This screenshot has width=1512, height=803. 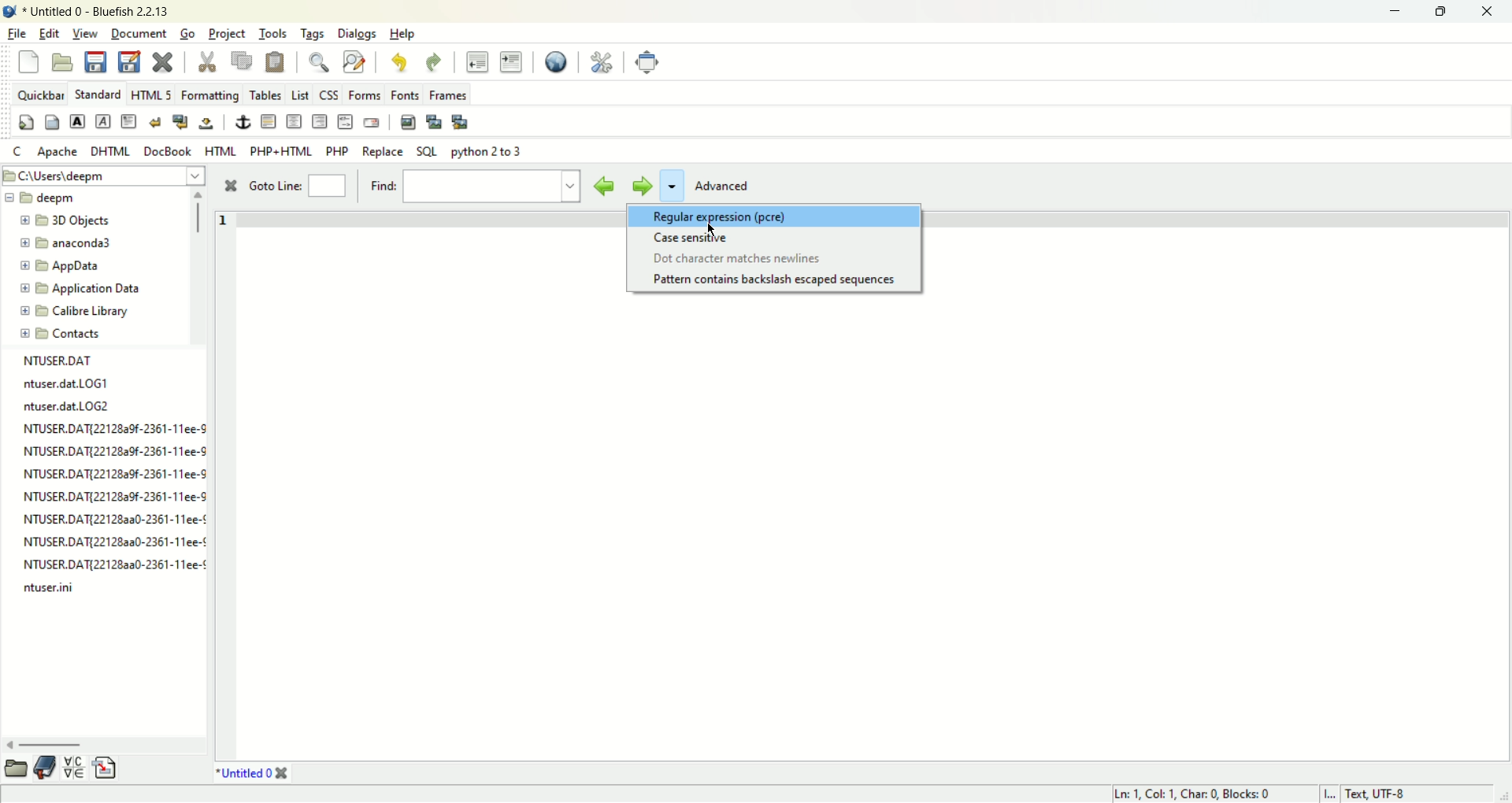 What do you see at coordinates (710, 229) in the screenshot?
I see `cursor` at bounding box center [710, 229].